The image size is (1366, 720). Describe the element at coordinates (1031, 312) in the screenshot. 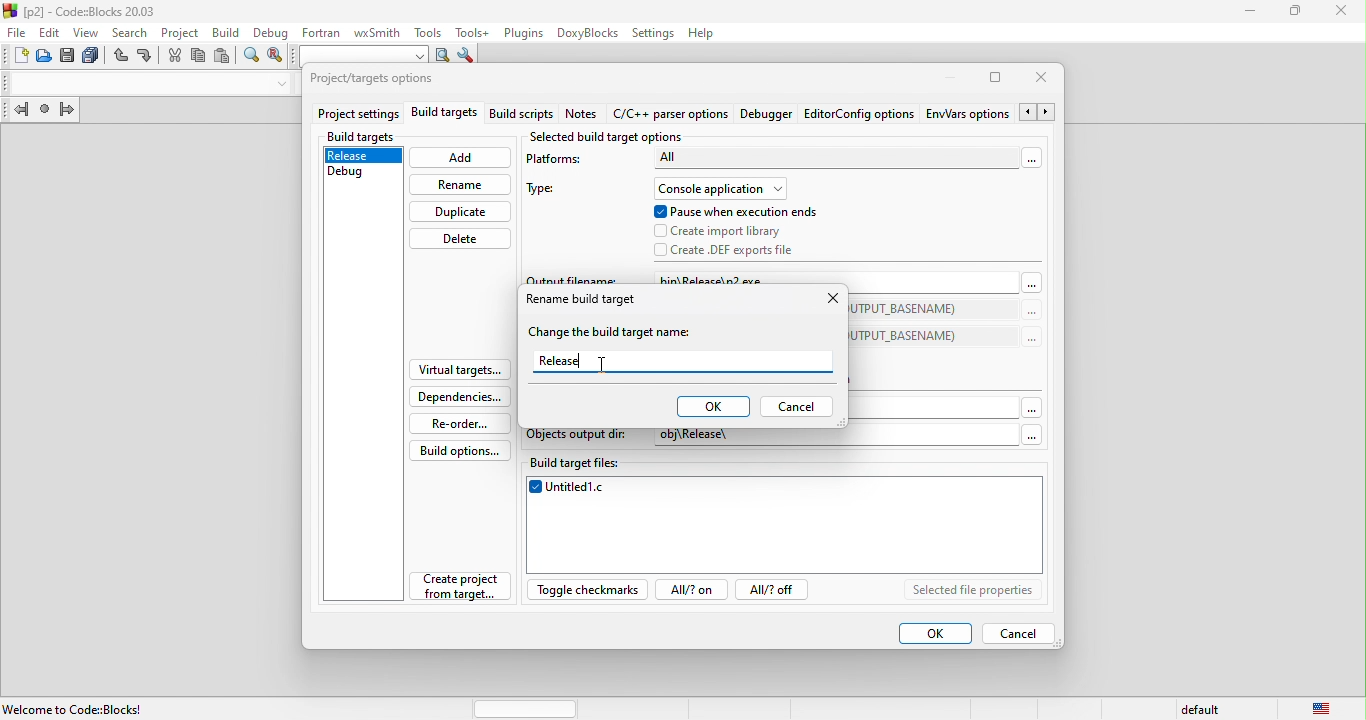

I see `more` at that location.